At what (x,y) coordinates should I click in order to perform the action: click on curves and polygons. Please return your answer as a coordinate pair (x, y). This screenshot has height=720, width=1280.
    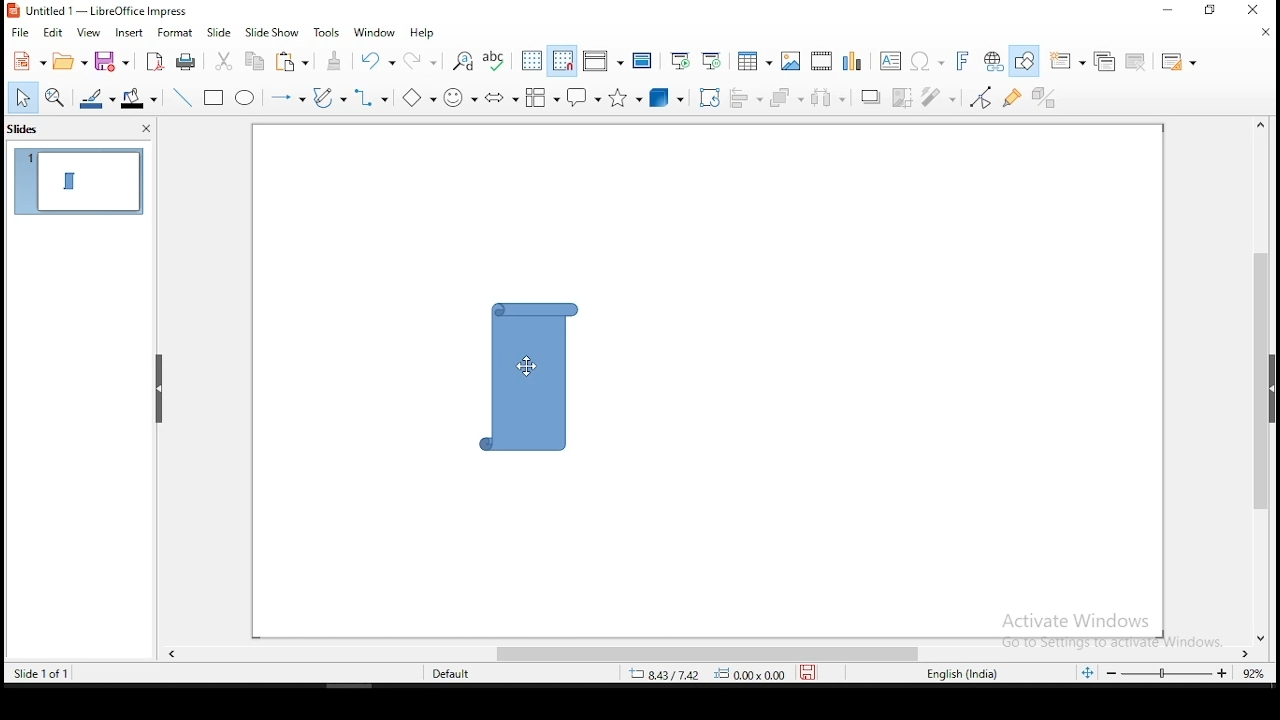
    Looking at the image, I should click on (327, 96).